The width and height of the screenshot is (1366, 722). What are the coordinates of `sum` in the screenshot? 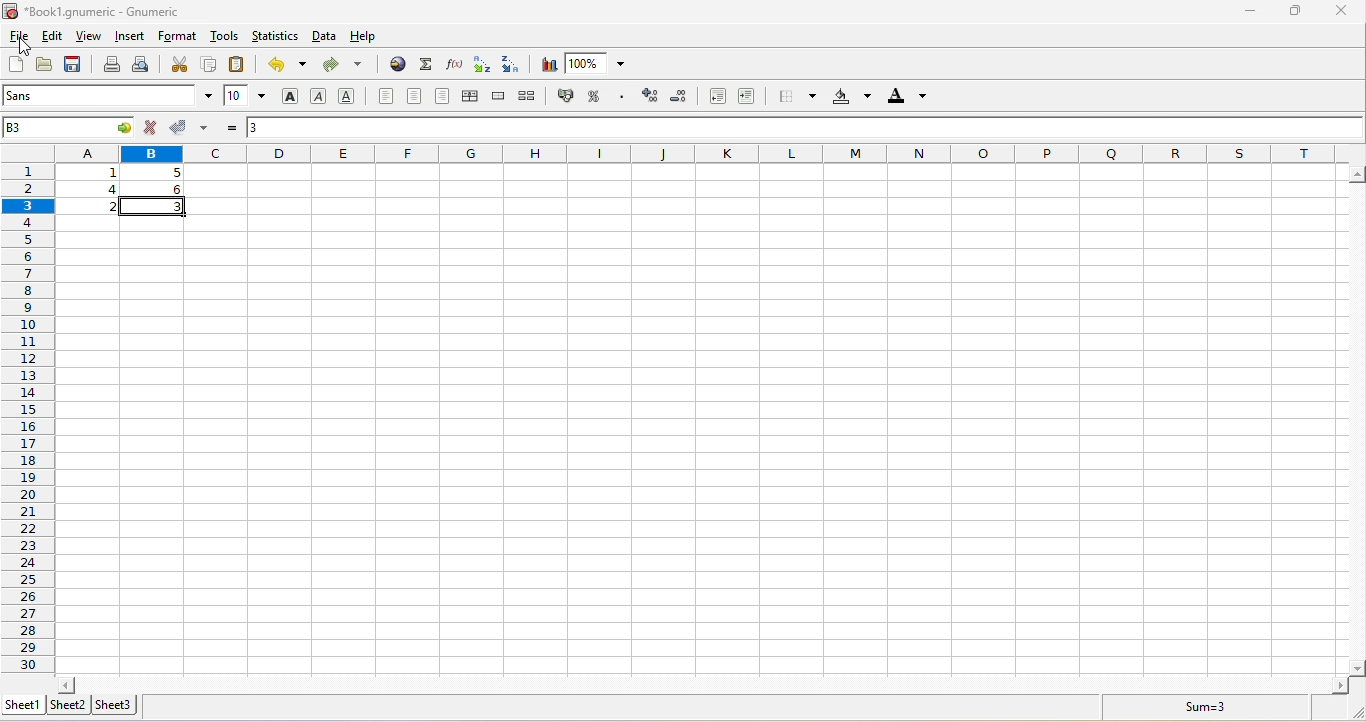 It's located at (428, 67).